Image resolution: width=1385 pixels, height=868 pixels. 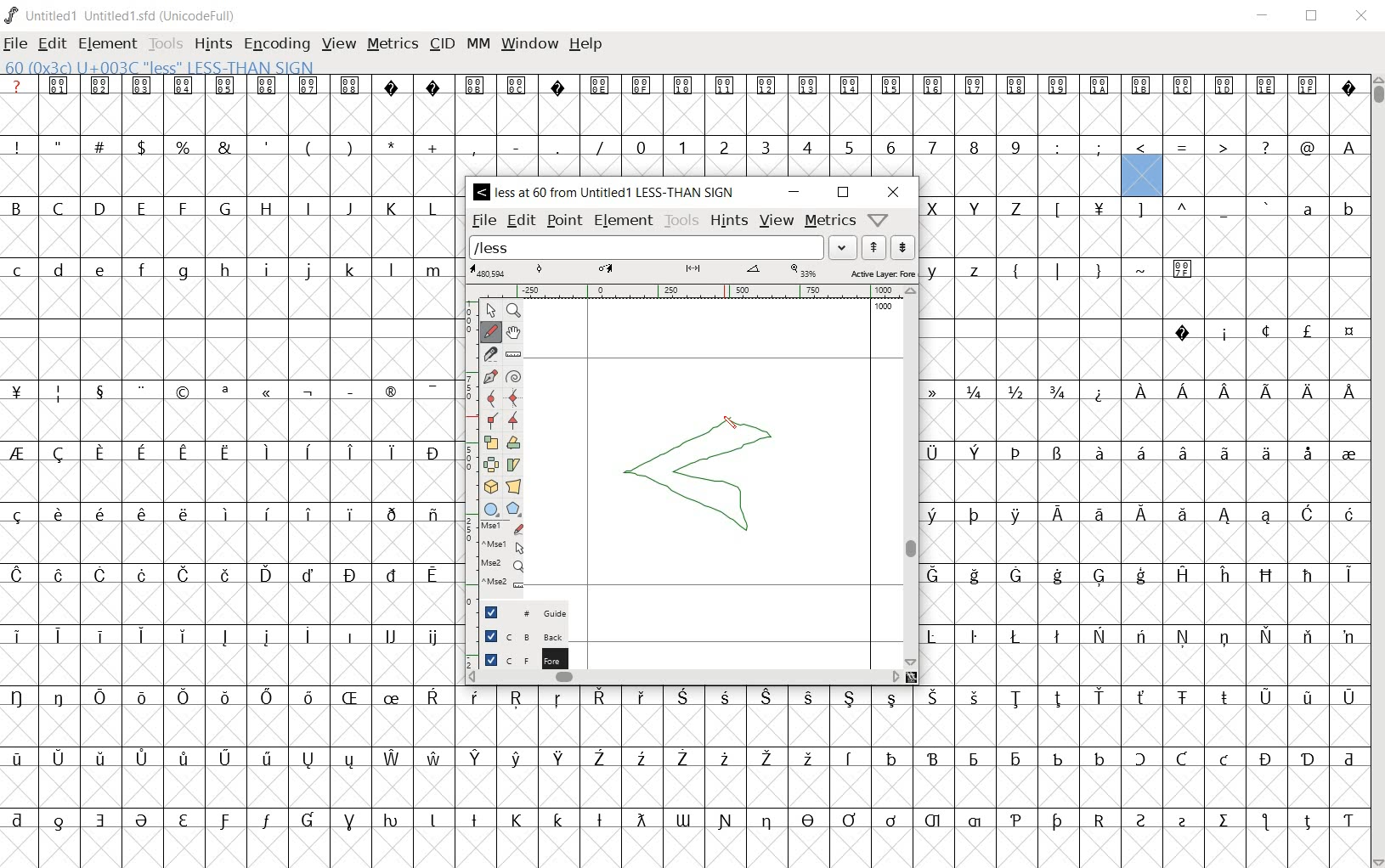 What do you see at coordinates (1144, 634) in the screenshot?
I see `special letter` at bounding box center [1144, 634].